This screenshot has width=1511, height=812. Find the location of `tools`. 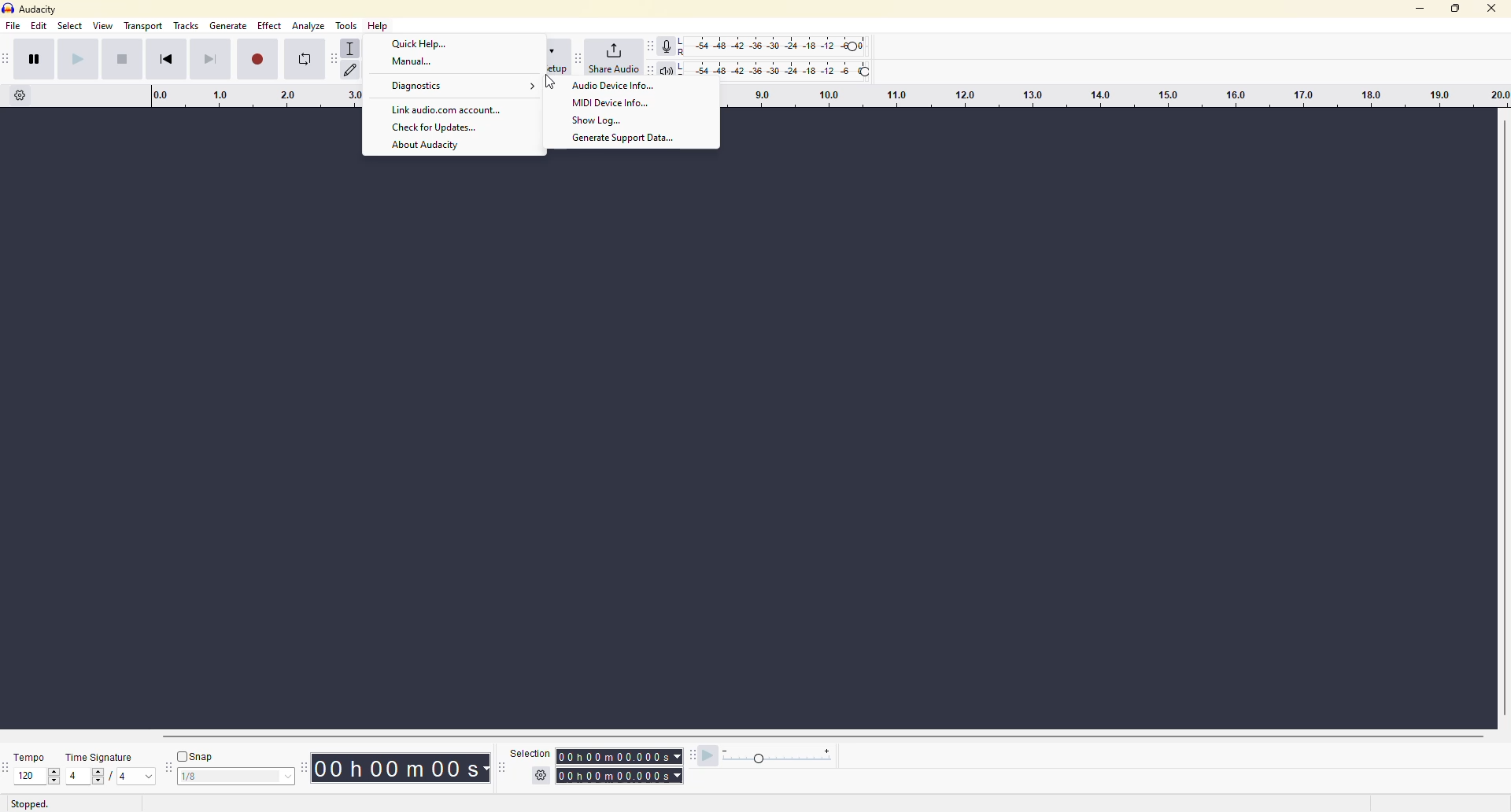

tools is located at coordinates (350, 23).